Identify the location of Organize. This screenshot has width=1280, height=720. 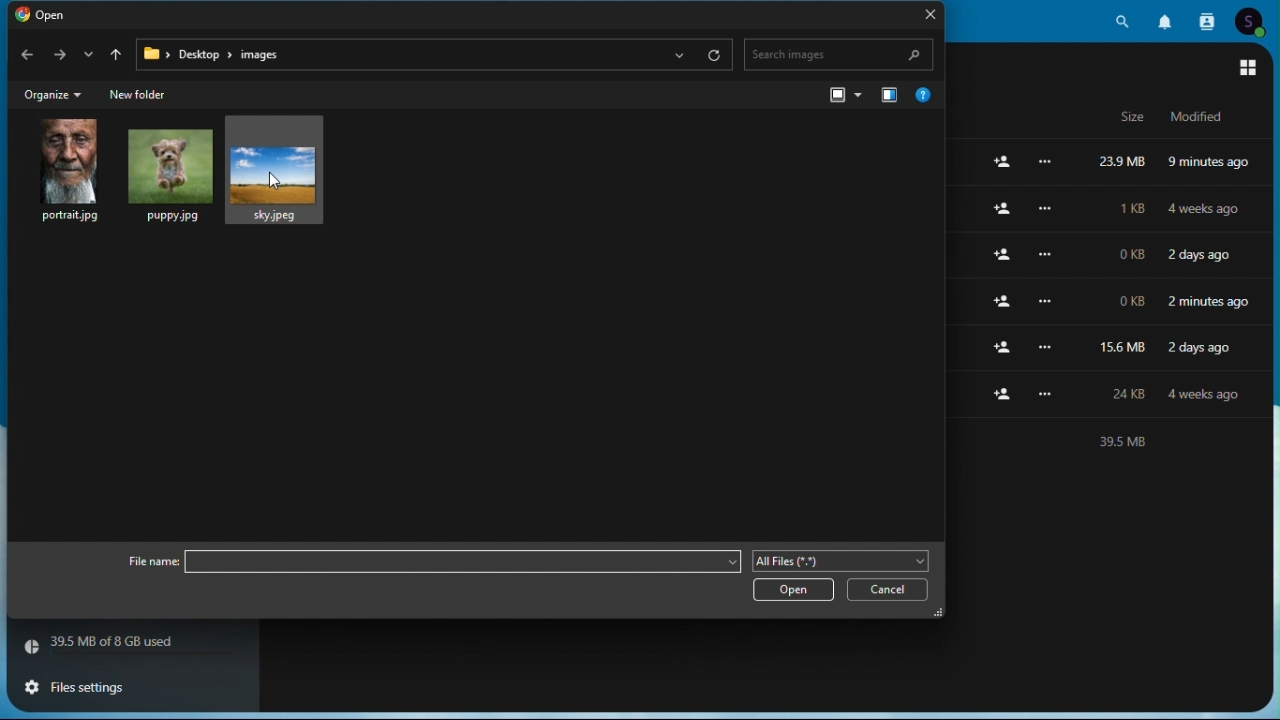
(51, 96).